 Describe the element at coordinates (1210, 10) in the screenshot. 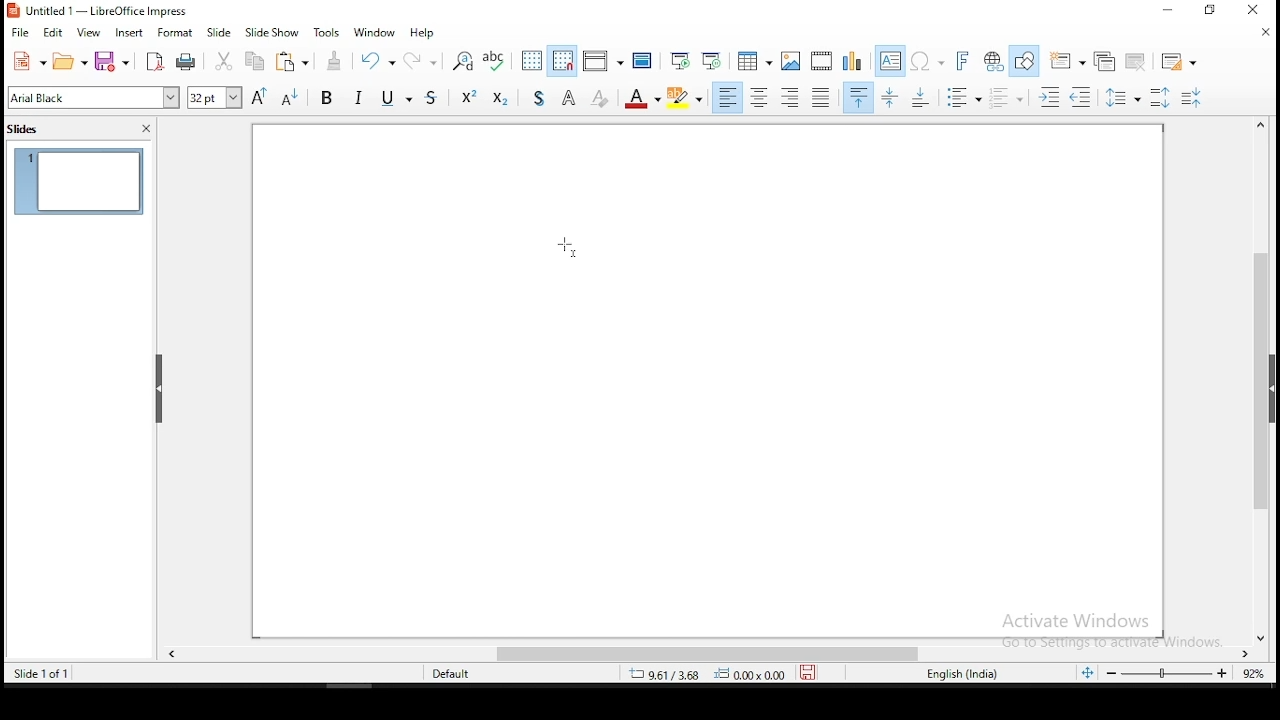

I see `restore` at that location.